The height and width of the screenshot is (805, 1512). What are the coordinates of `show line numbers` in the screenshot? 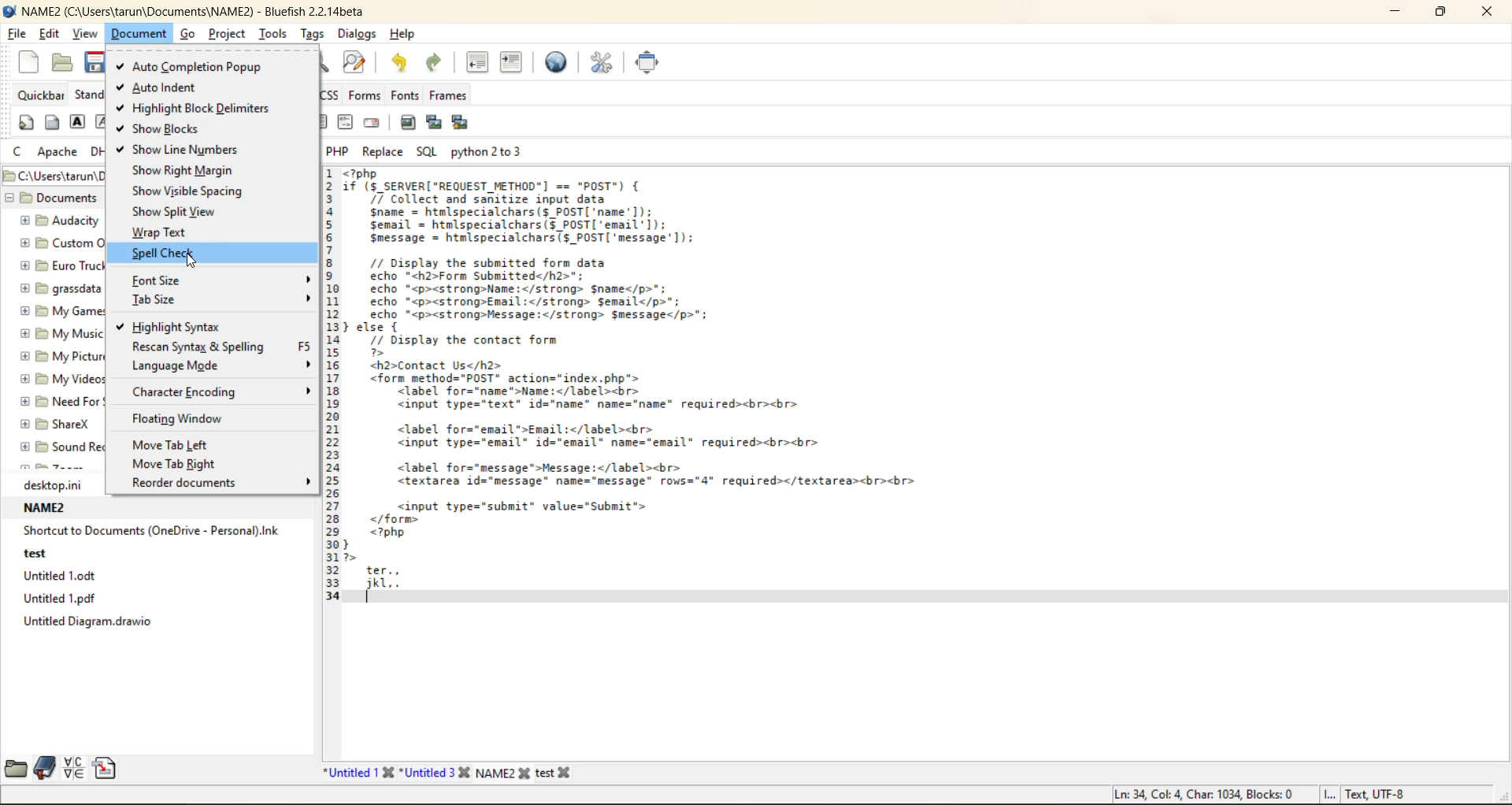 It's located at (182, 150).